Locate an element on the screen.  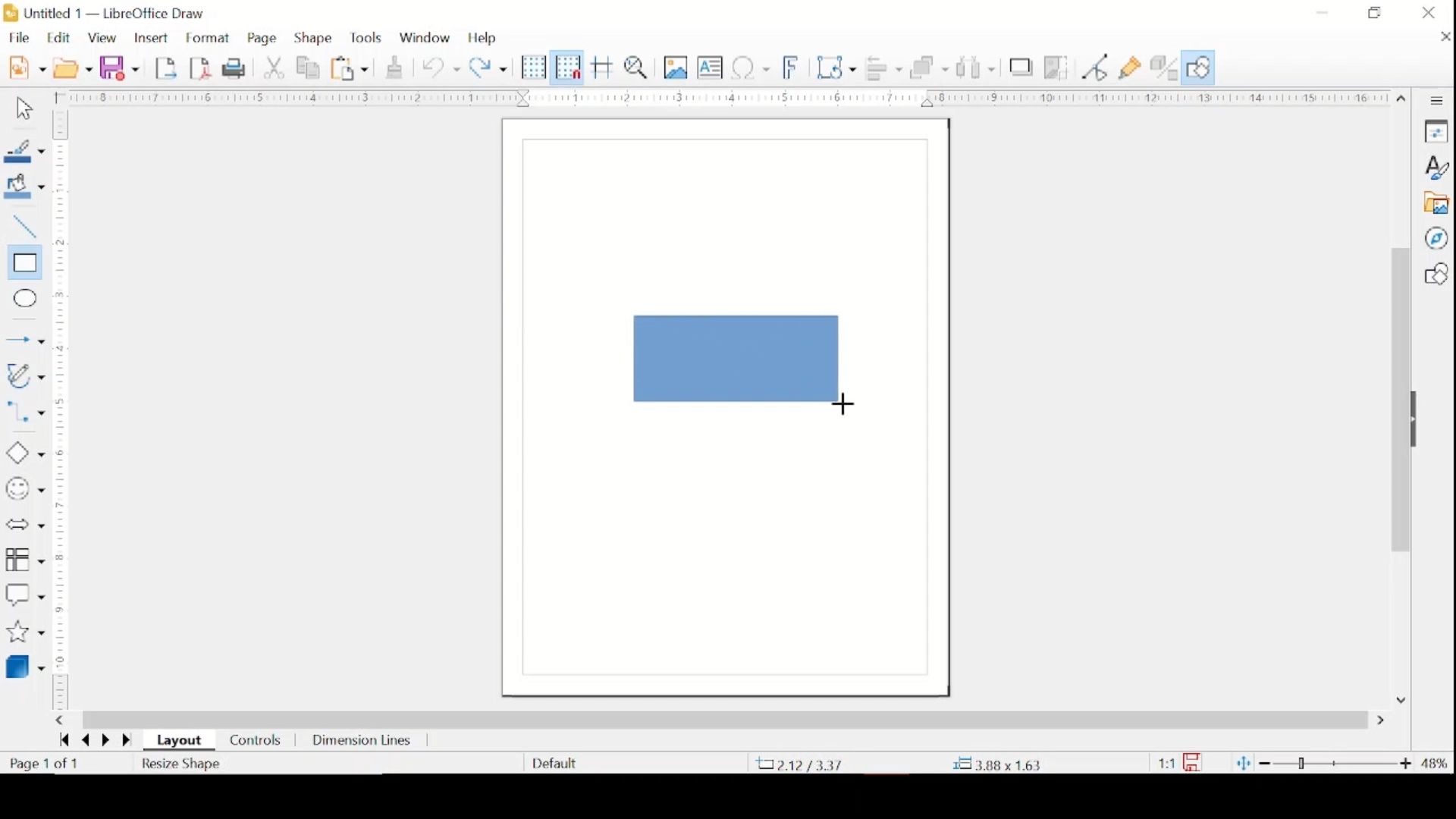
gallery is located at coordinates (1436, 203).